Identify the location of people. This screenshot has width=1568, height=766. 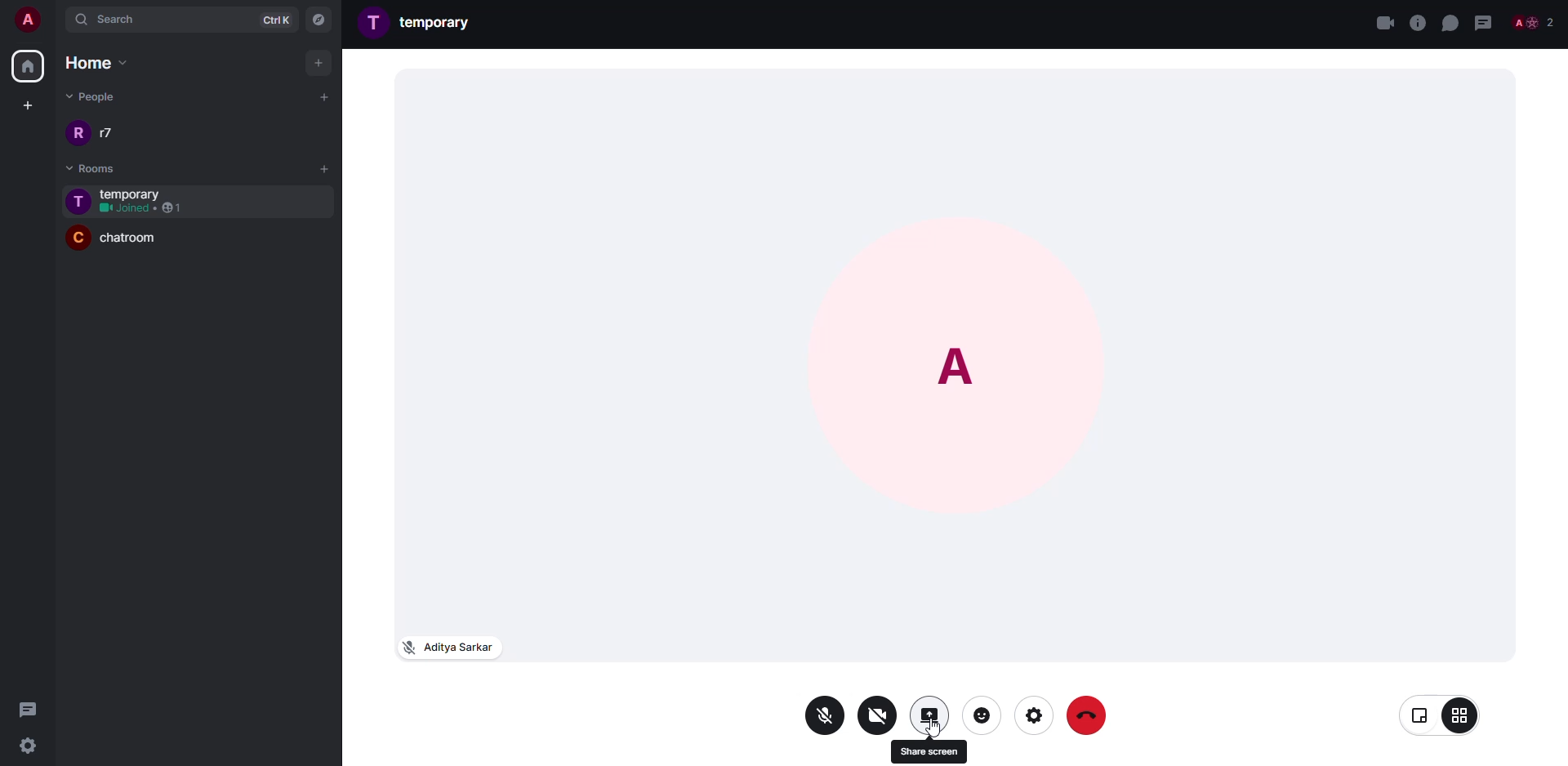
(95, 95).